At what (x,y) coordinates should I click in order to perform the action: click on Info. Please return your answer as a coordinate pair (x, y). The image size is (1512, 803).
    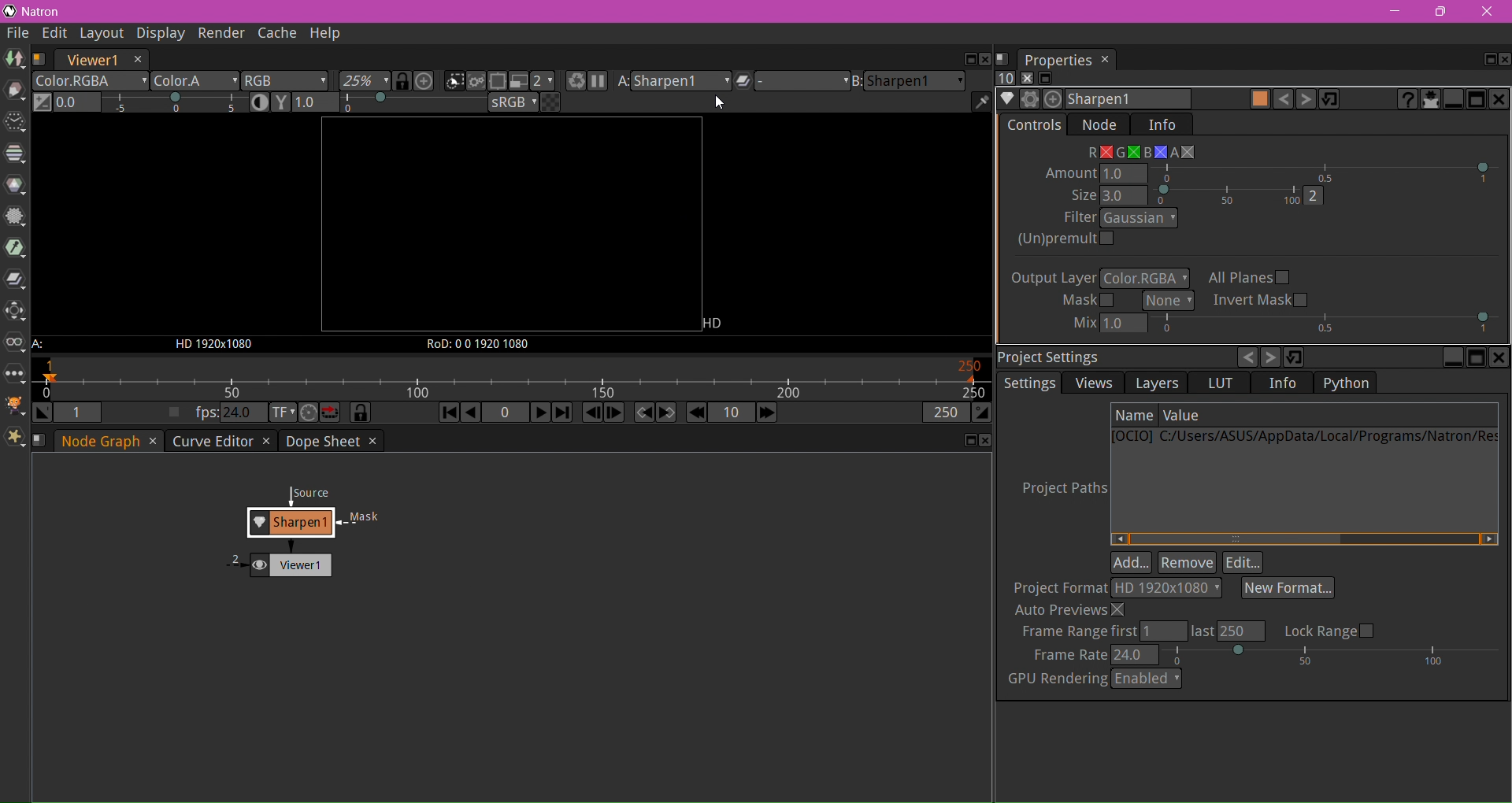
    Looking at the image, I should click on (1162, 124).